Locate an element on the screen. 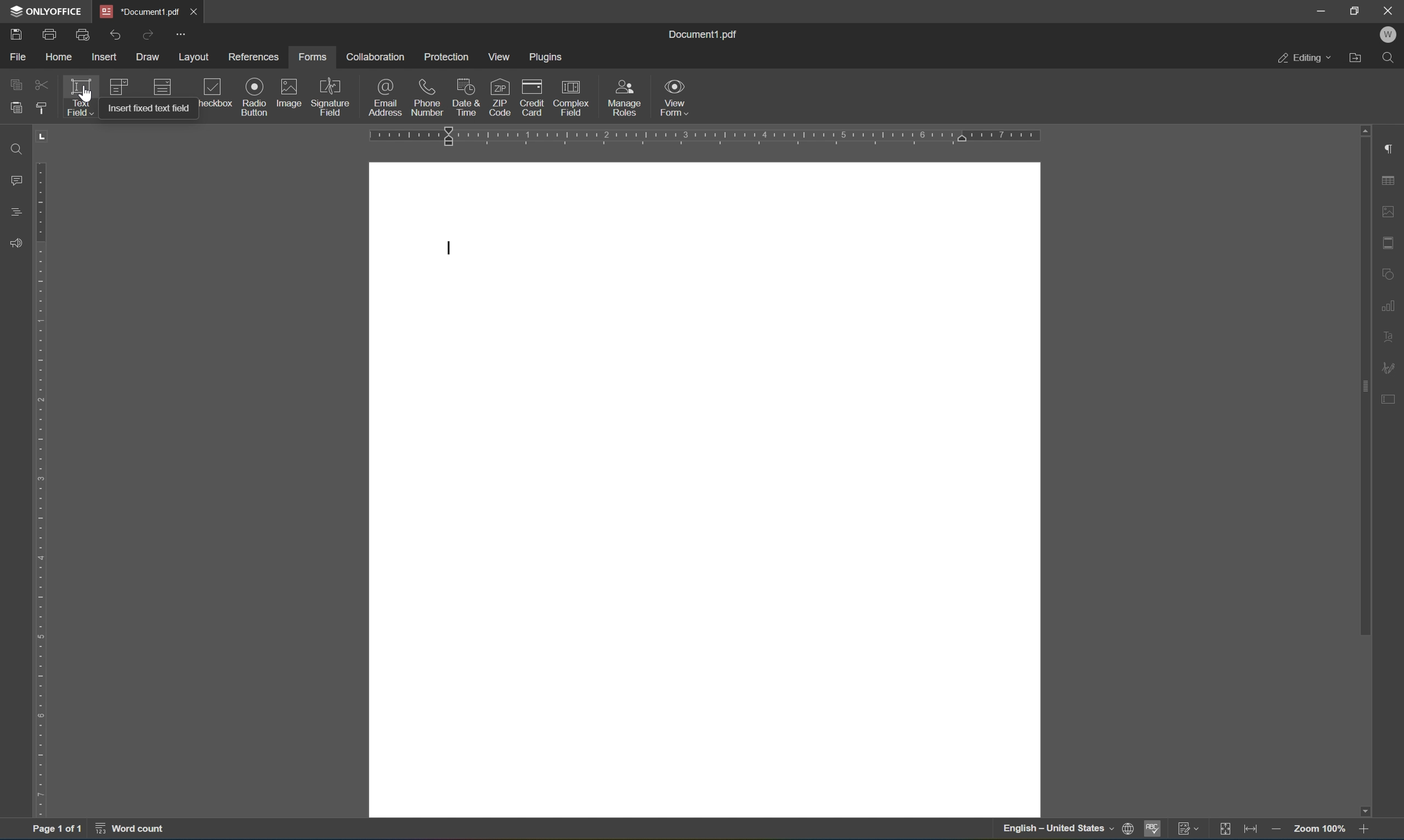  chart settings is located at coordinates (1390, 303).